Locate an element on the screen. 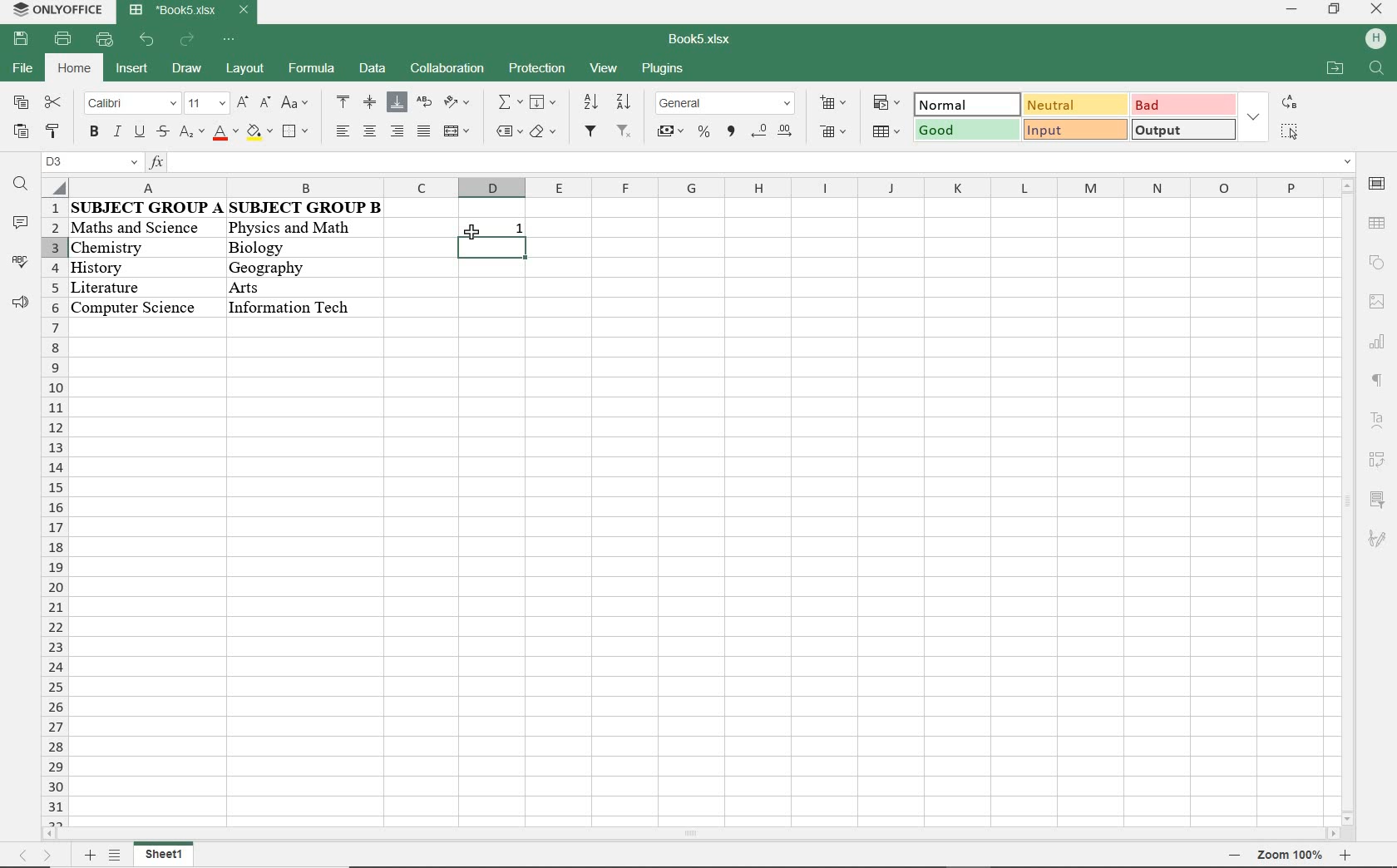 The width and height of the screenshot is (1397, 868). font color is located at coordinates (227, 133).